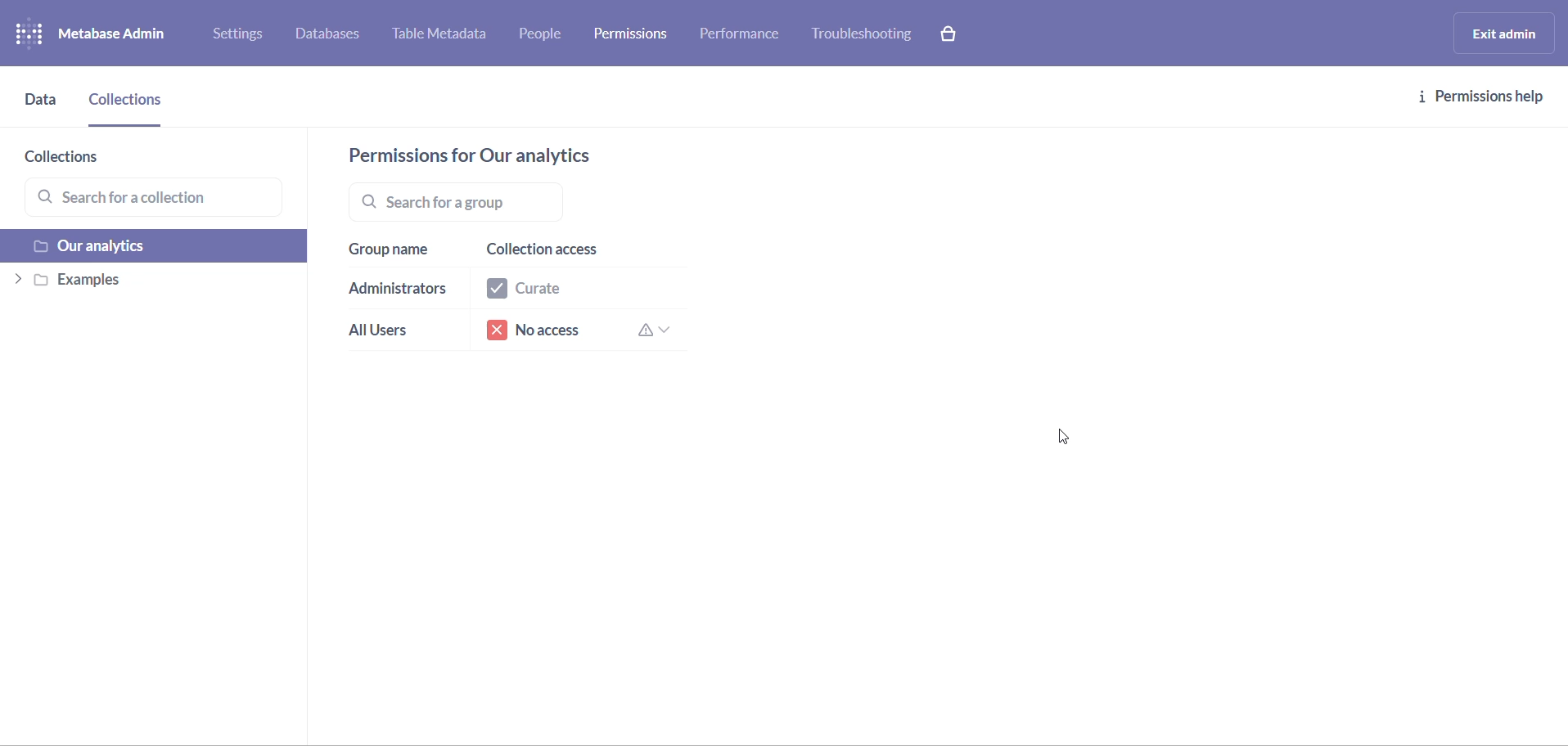 This screenshot has width=1568, height=746. Describe the element at coordinates (447, 36) in the screenshot. I see `table metadata` at that location.